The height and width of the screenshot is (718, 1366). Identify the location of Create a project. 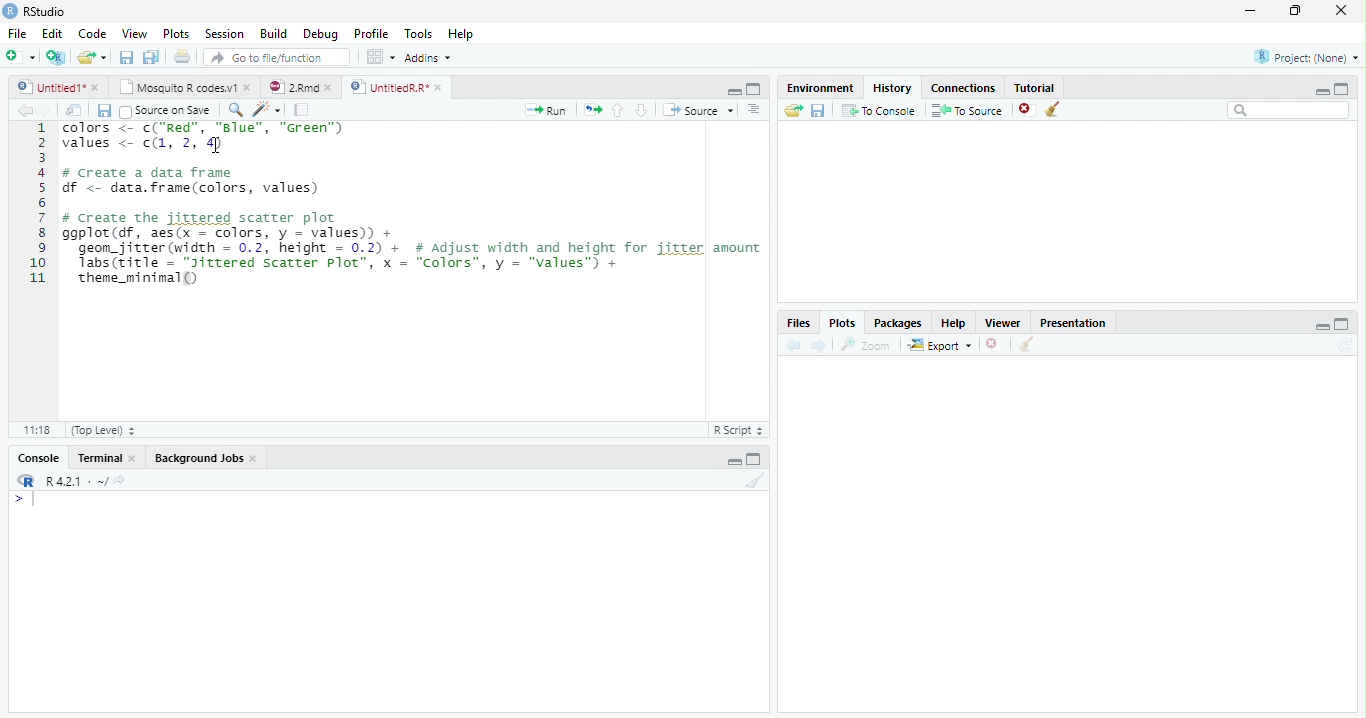
(55, 57).